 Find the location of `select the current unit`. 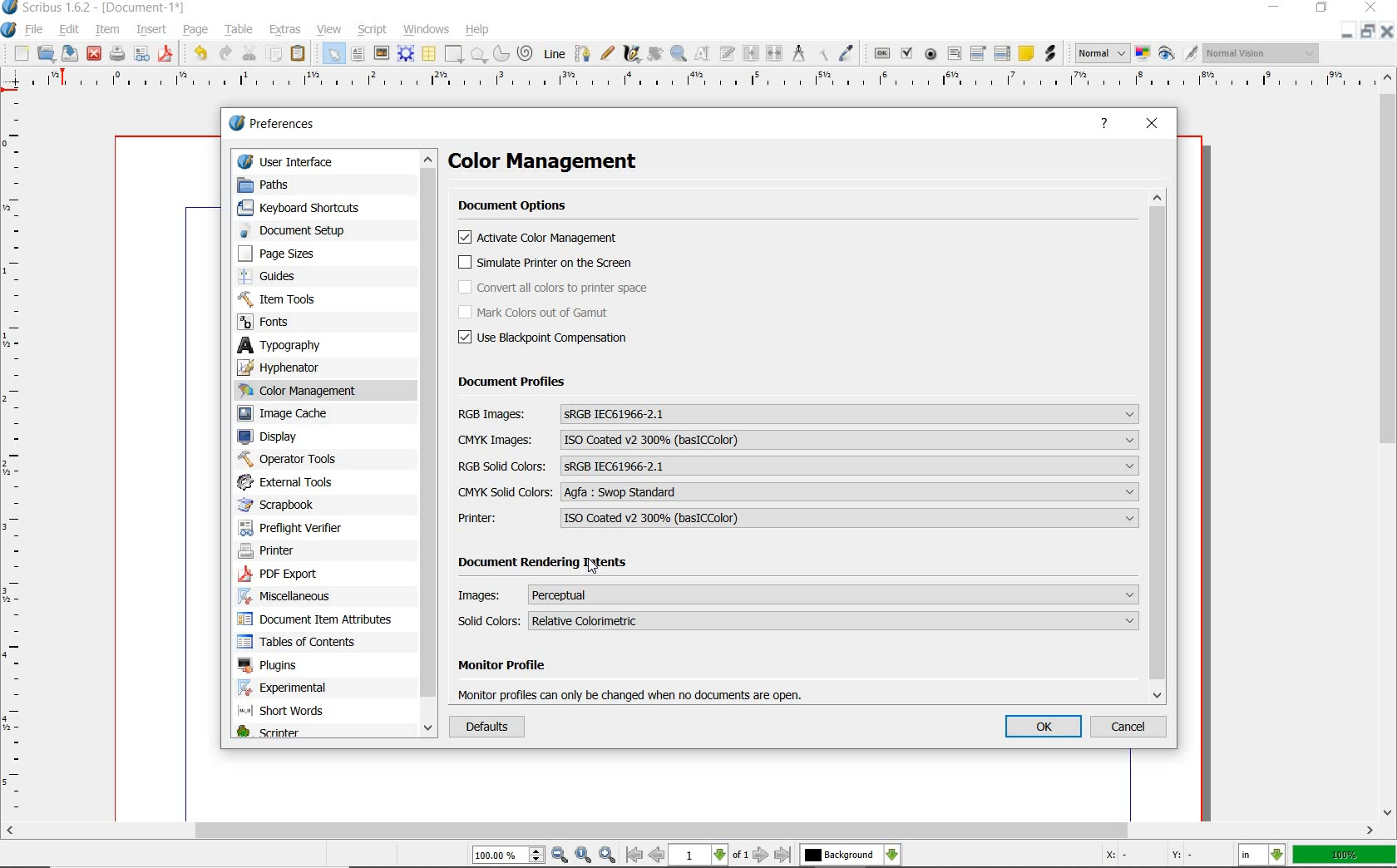

select the current unit is located at coordinates (1263, 856).